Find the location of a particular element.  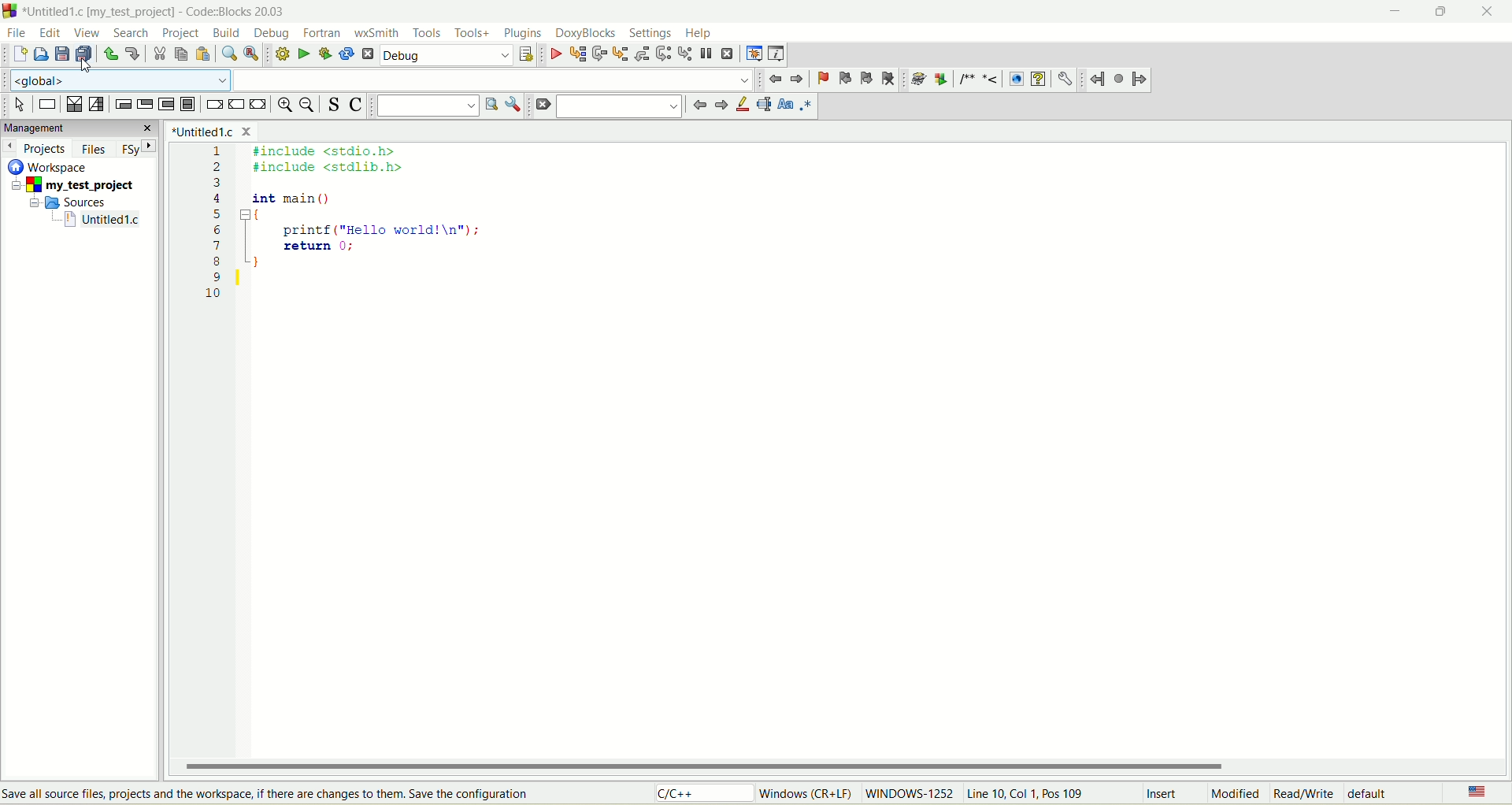

find is located at coordinates (227, 52).